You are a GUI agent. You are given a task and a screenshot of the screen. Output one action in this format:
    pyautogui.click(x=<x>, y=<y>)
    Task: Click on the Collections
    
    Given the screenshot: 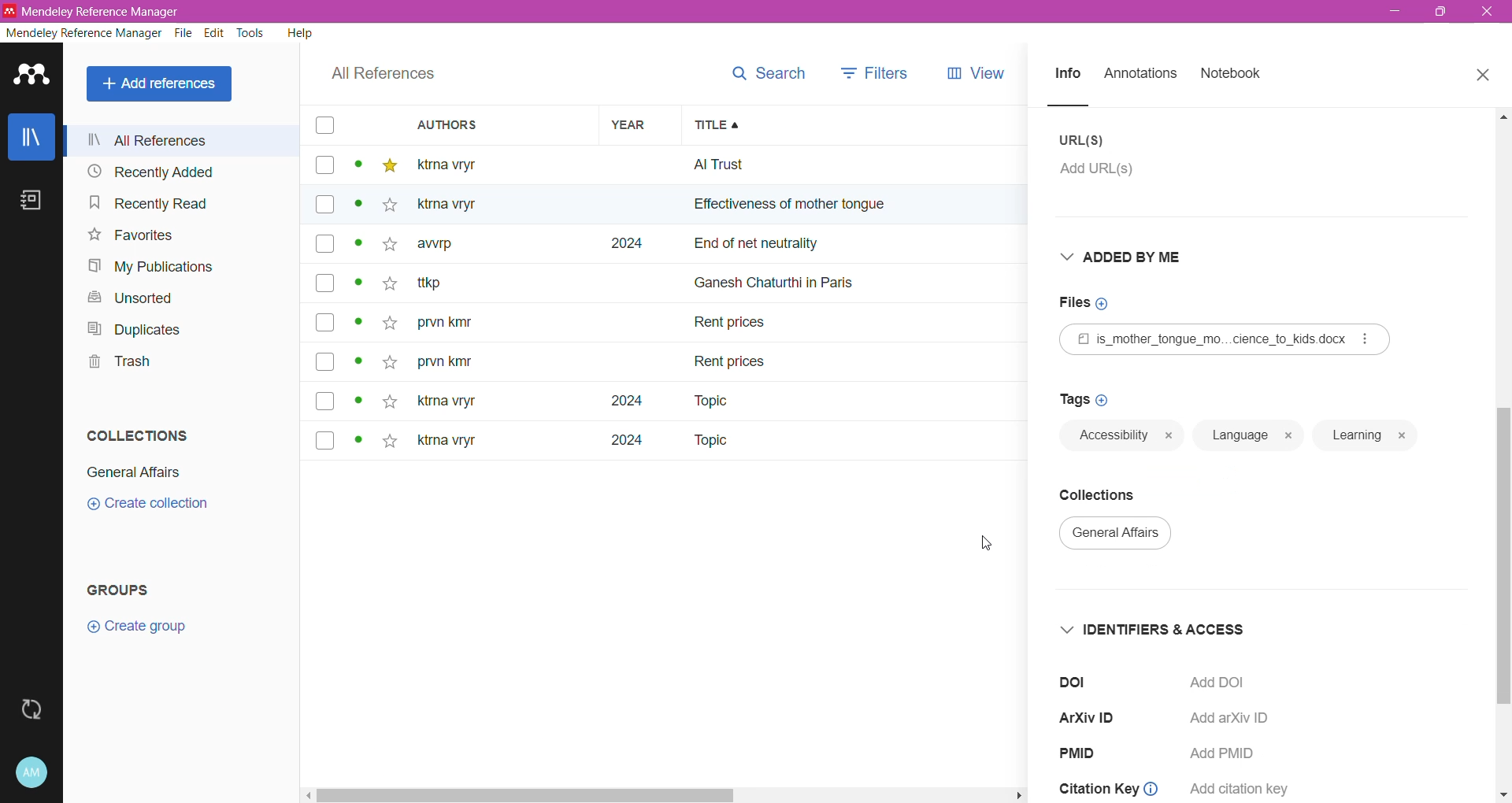 What is the action you would take?
    pyautogui.click(x=139, y=435)
    